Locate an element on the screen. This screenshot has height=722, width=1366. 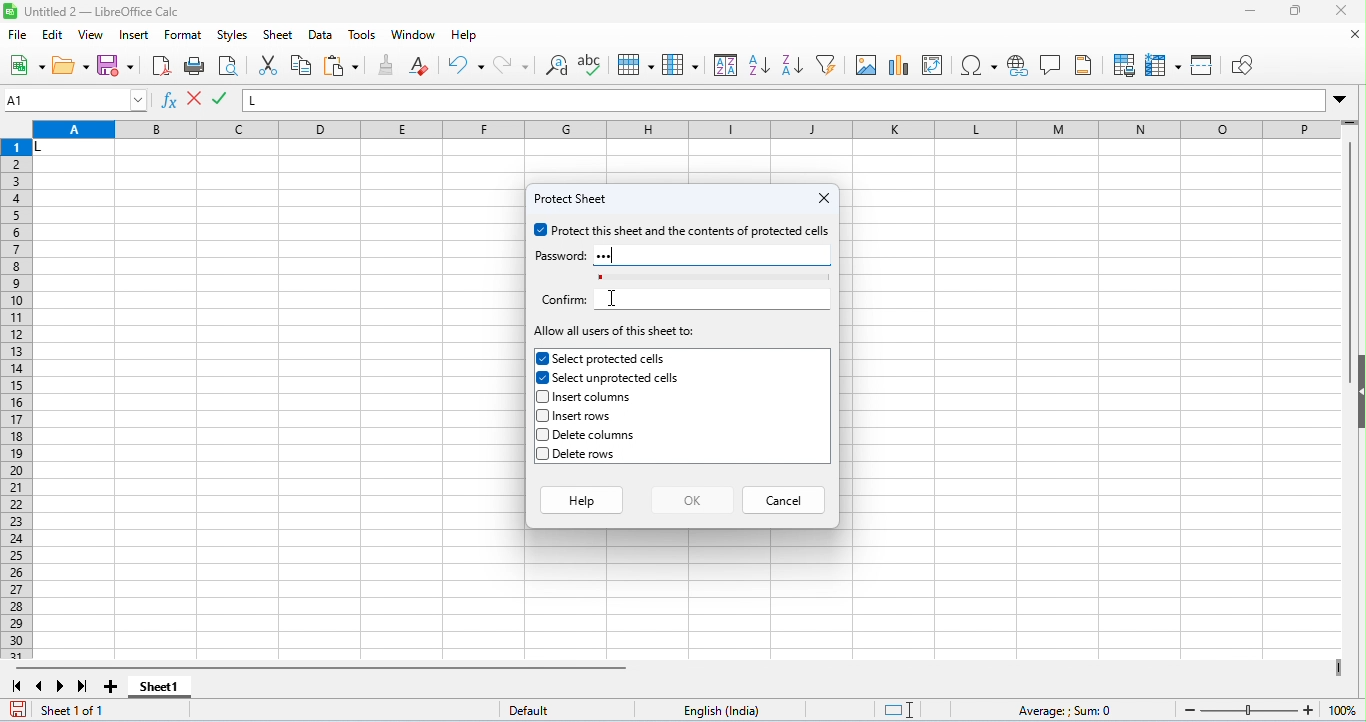
file is located at coordinates (19, 36).